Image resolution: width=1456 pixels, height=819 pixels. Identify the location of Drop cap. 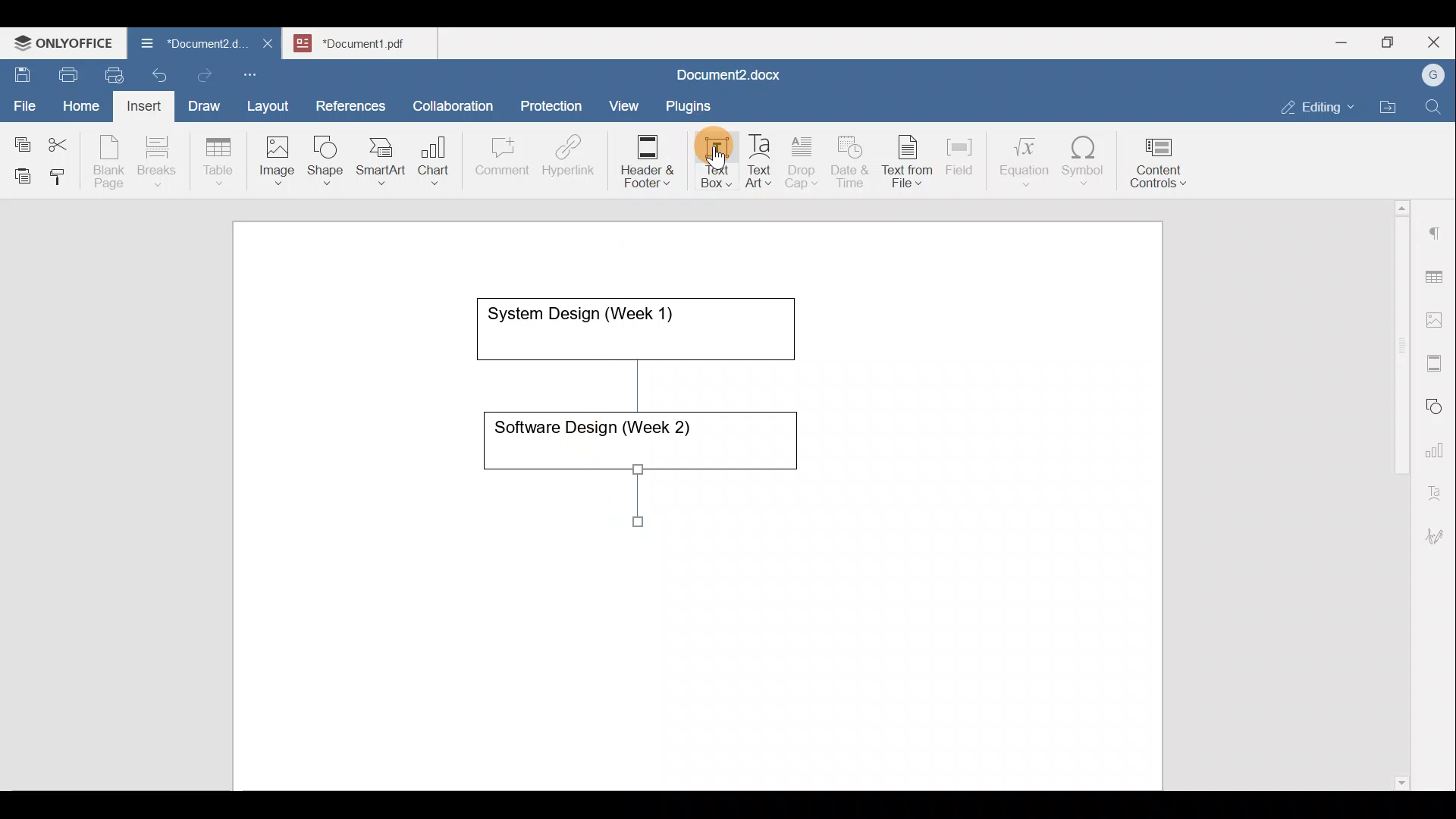
(805, 160).